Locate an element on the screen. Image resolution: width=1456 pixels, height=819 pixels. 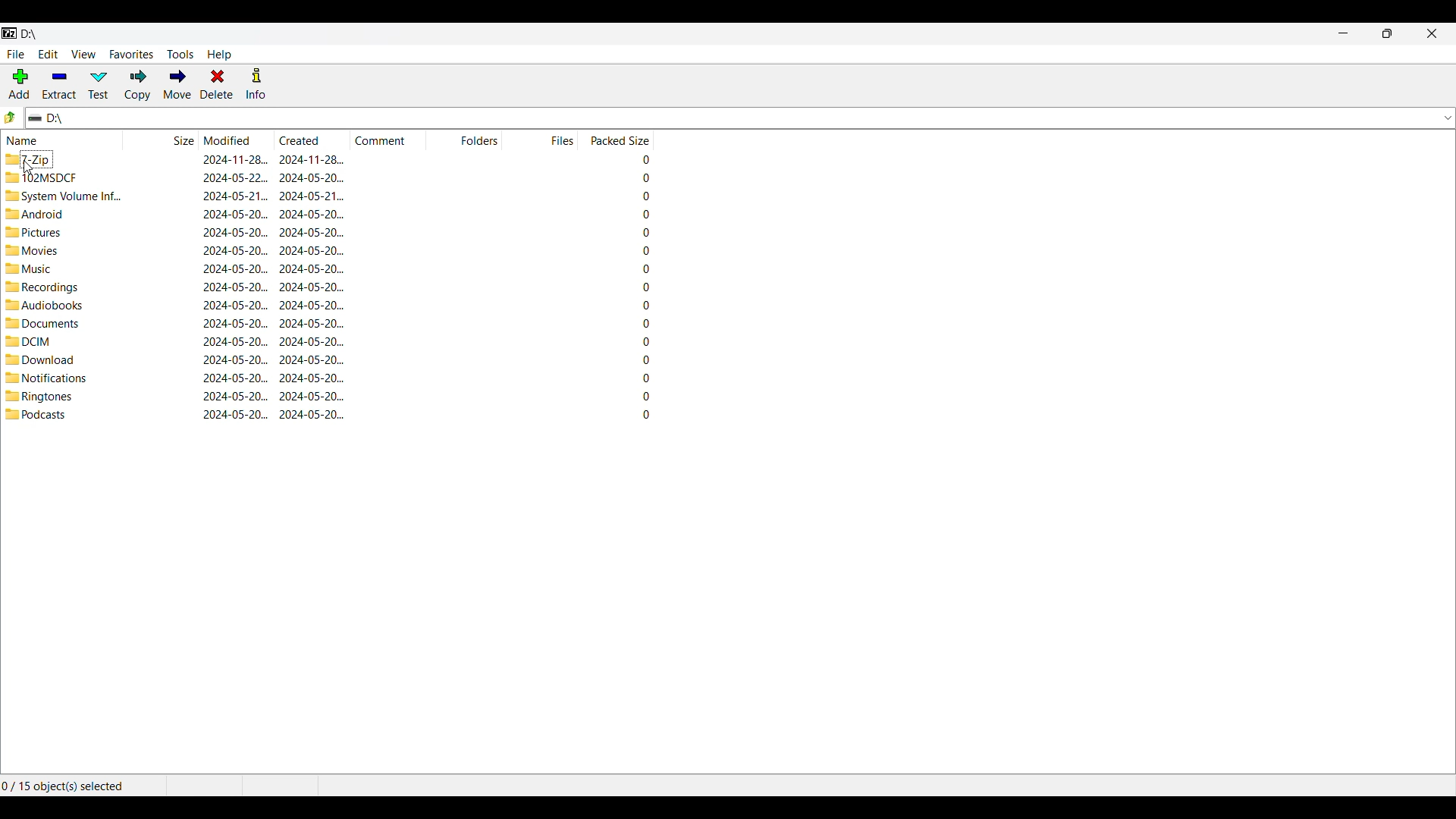
folder is located at coordinates (42, 287).